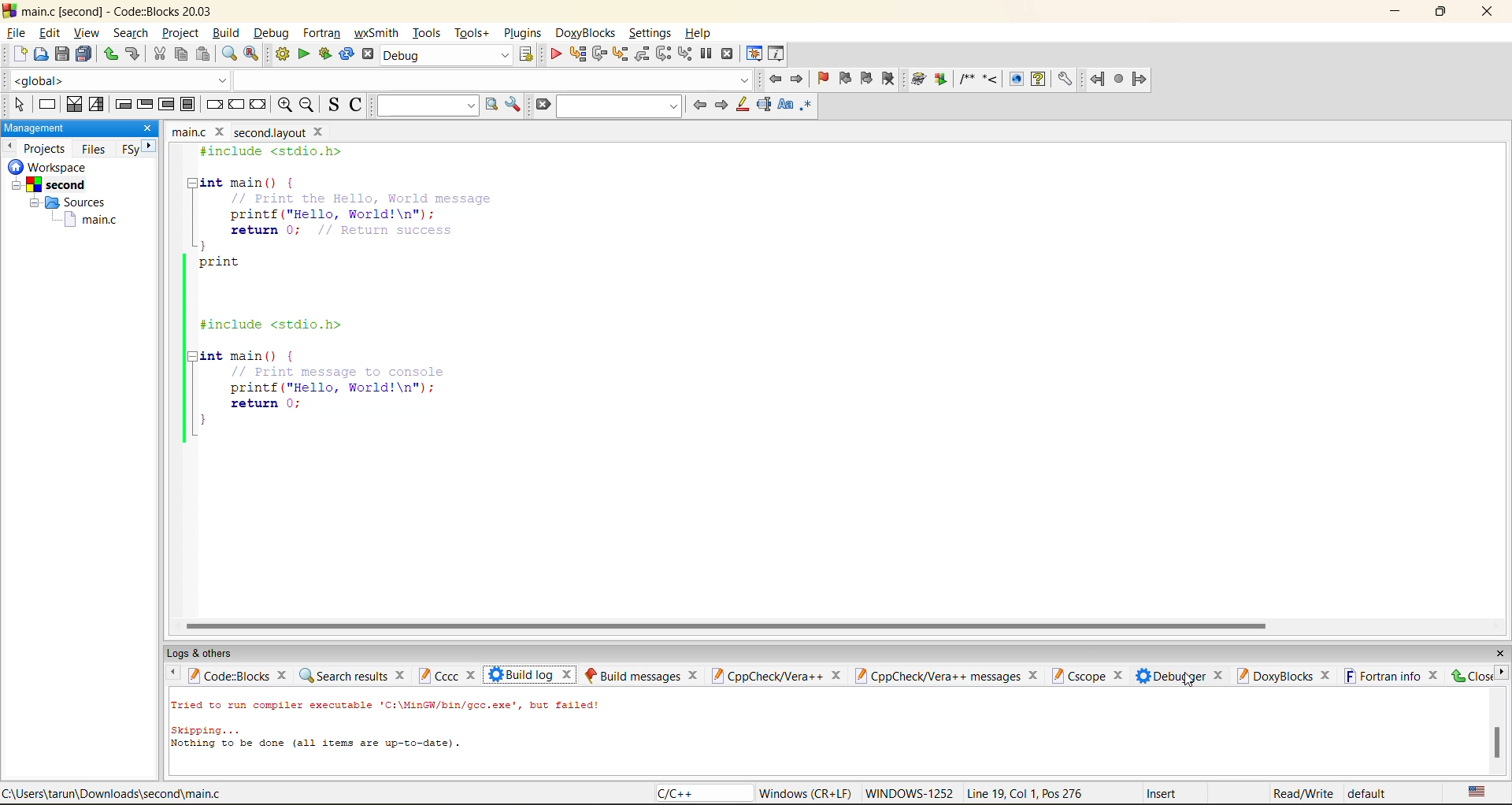  Describe the element at coordinates (95, 148) in the screenshot. I see `files` at that location.